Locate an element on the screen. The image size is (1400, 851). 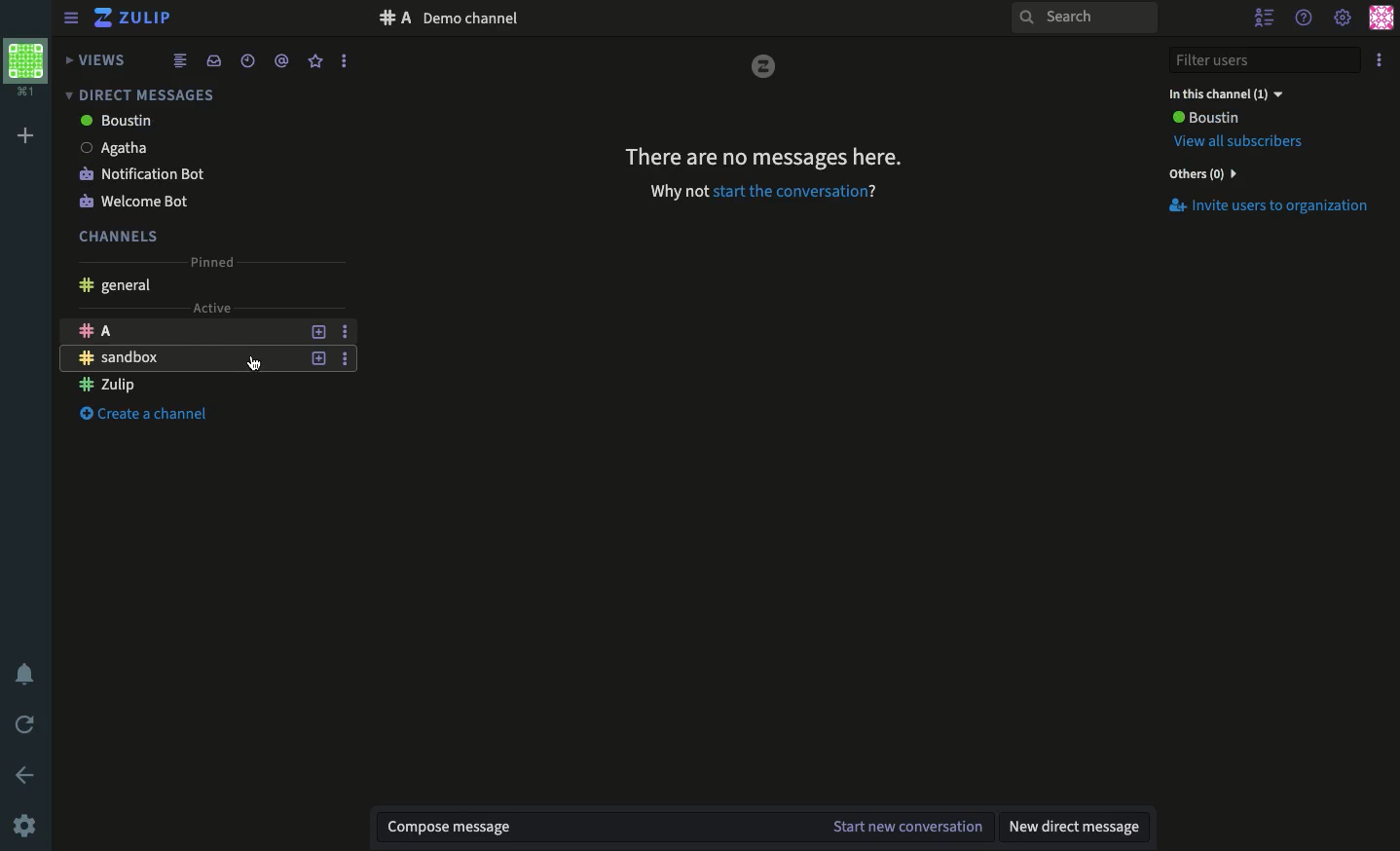
Zulip is located at coordinates (136, 20).